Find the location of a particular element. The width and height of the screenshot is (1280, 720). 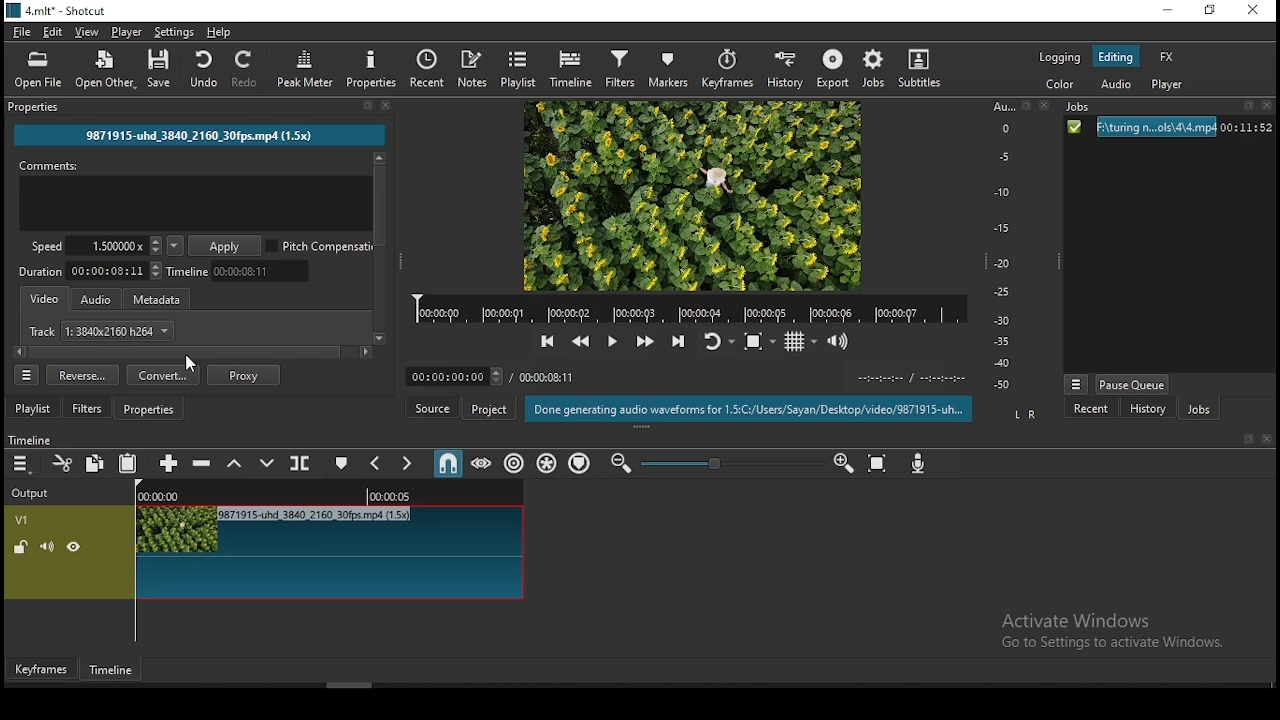

open file is located at coordinates (39, 70).